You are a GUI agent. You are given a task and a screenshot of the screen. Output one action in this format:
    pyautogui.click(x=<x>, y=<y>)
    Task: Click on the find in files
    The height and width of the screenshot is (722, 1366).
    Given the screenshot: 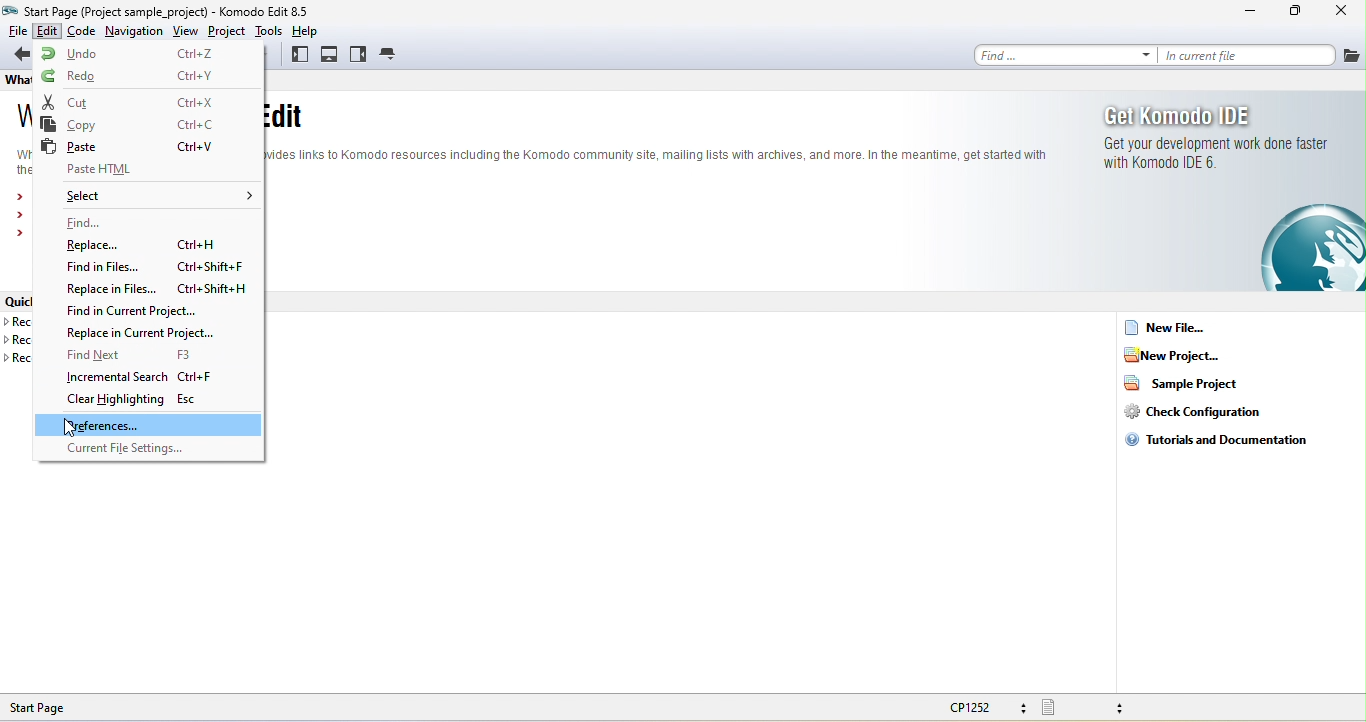 What is the action you would take?
    pyautogui.click(x=157, y=267)
    